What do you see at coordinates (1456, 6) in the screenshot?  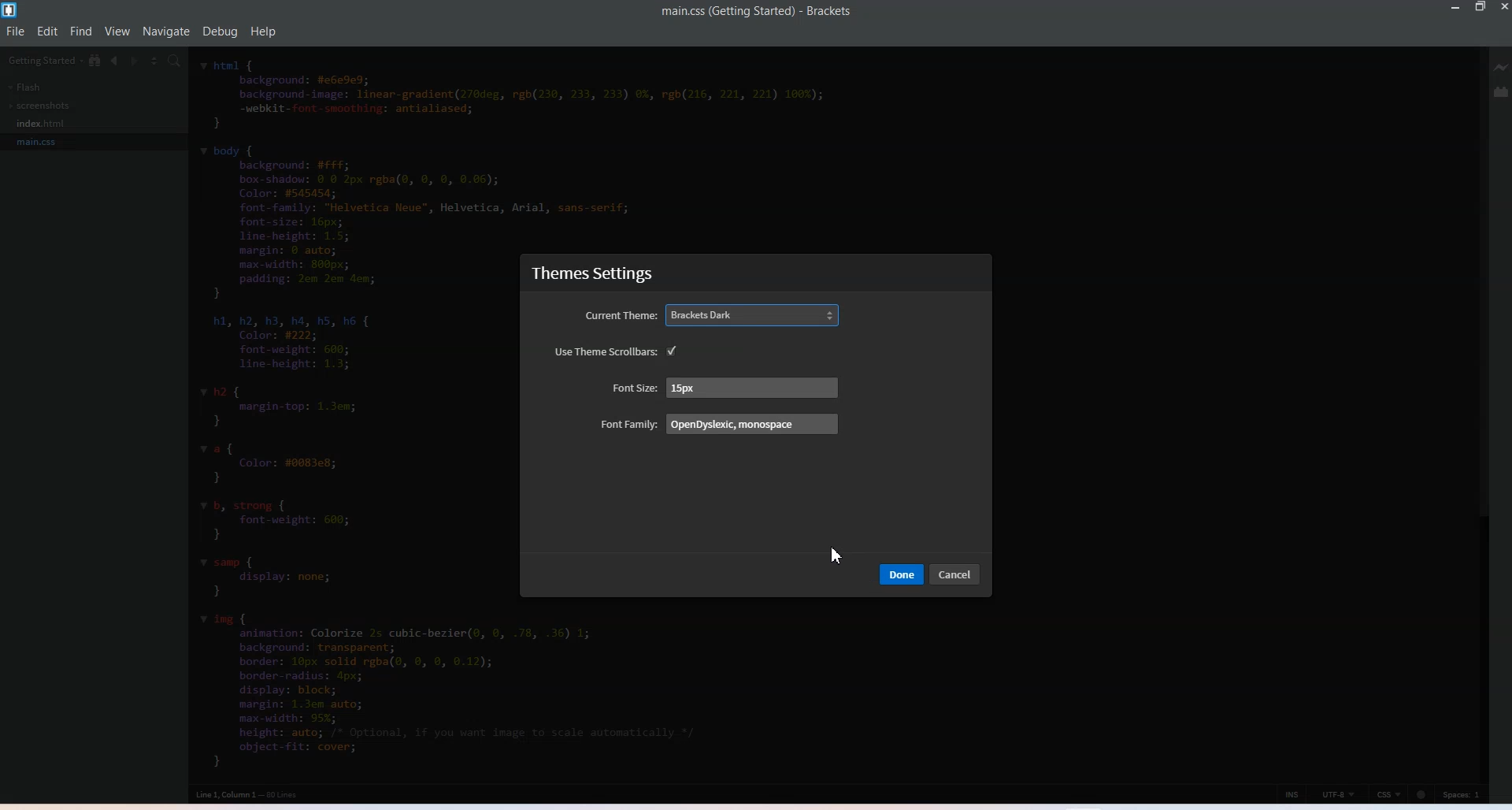 I see `Minimize` at bounding box center [1456, 6].